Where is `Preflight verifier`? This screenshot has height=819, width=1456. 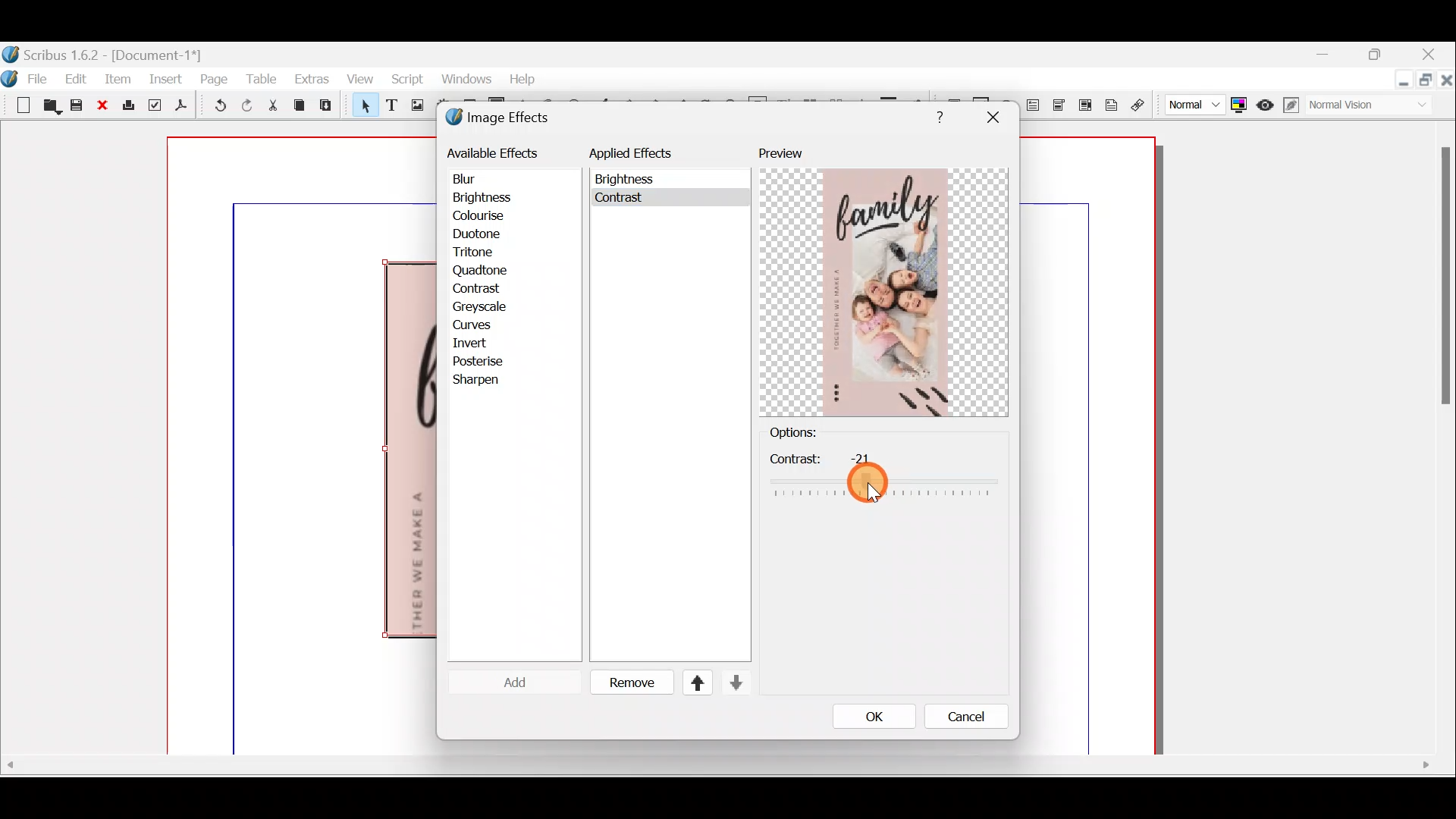
Preflight verifier is located at coordinates (155, 108).